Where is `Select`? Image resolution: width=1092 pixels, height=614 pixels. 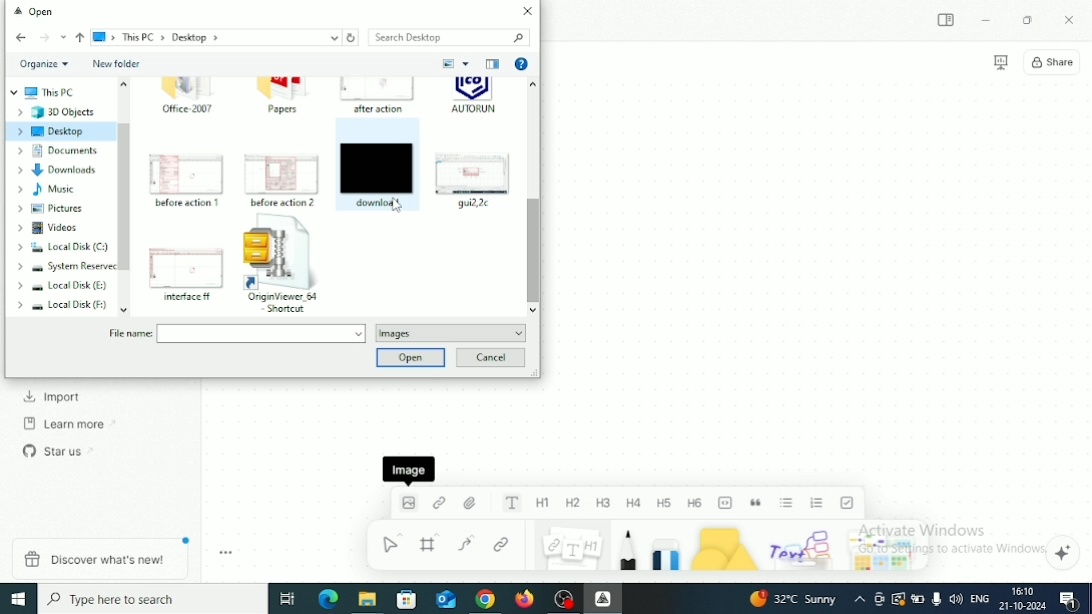 Select is located at coordinates (390, 543).